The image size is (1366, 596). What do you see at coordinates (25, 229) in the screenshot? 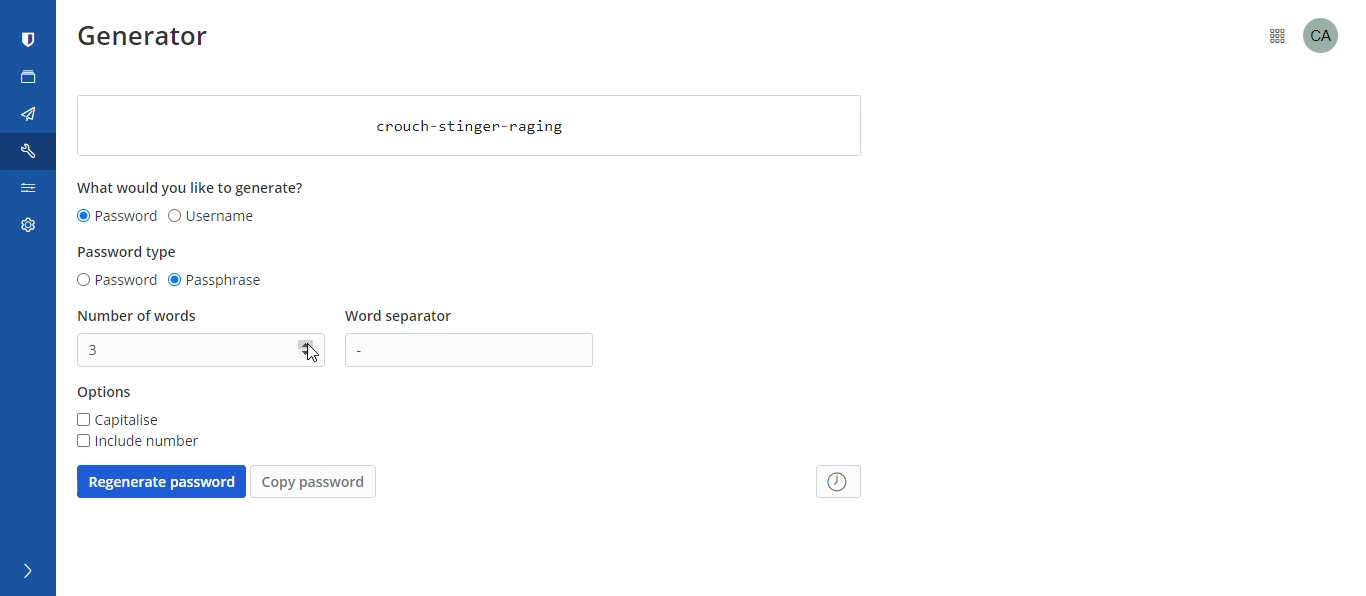
I see `settings` at bounding box center [25, 229].